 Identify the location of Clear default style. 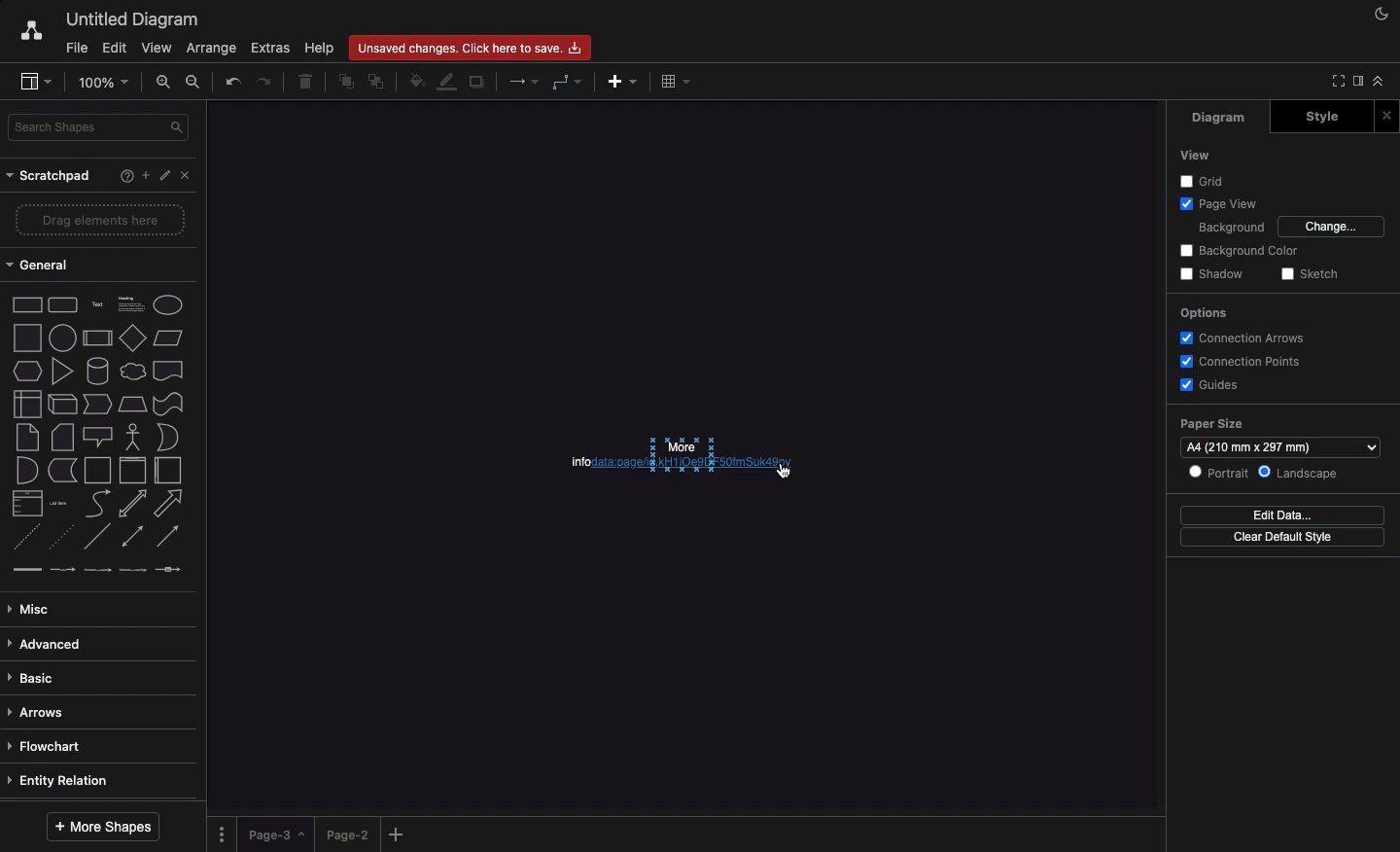
(1288, 537).